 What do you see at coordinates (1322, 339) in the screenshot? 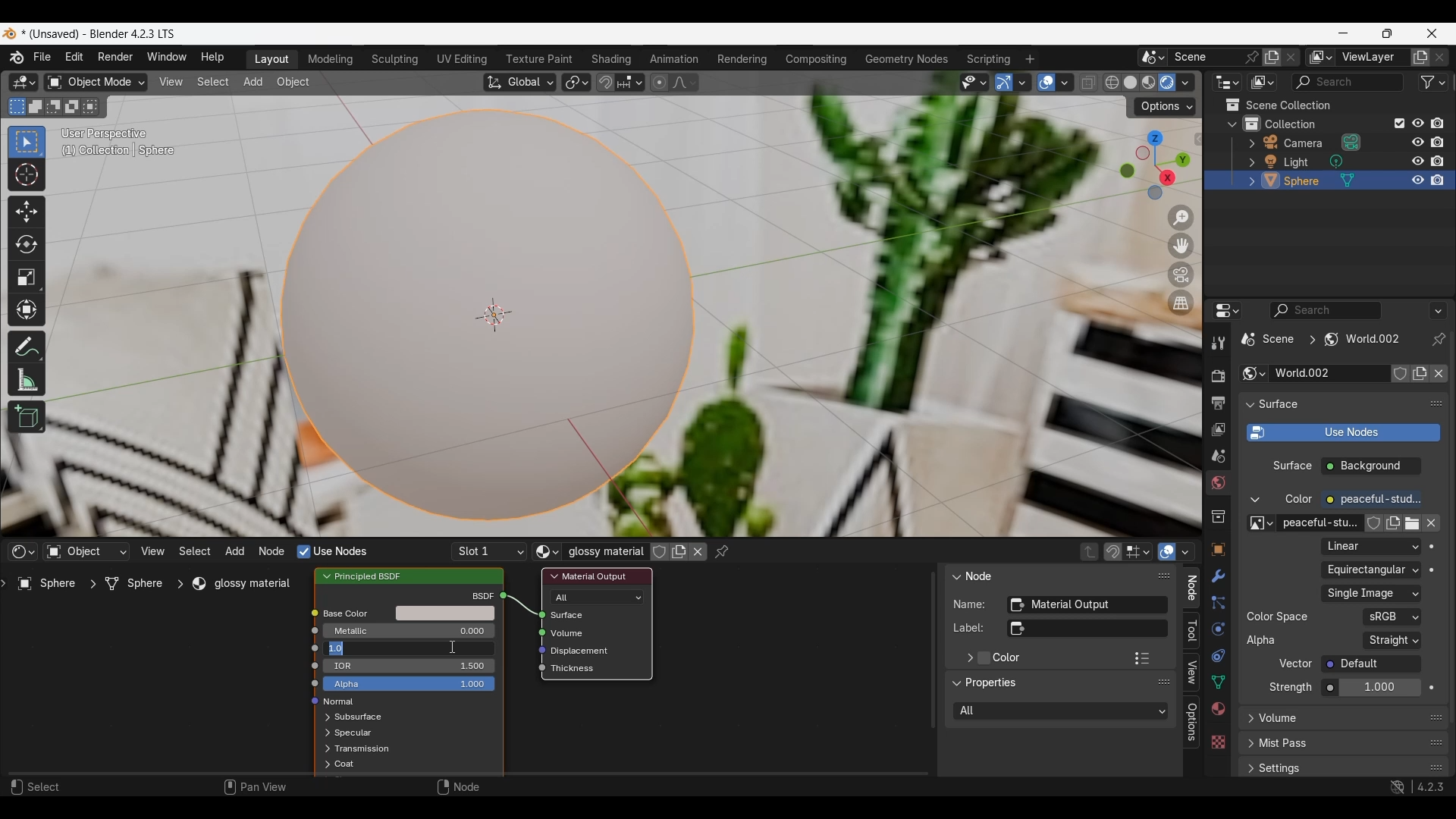
I see `Current scene location` at bounding box center [1322, 339].